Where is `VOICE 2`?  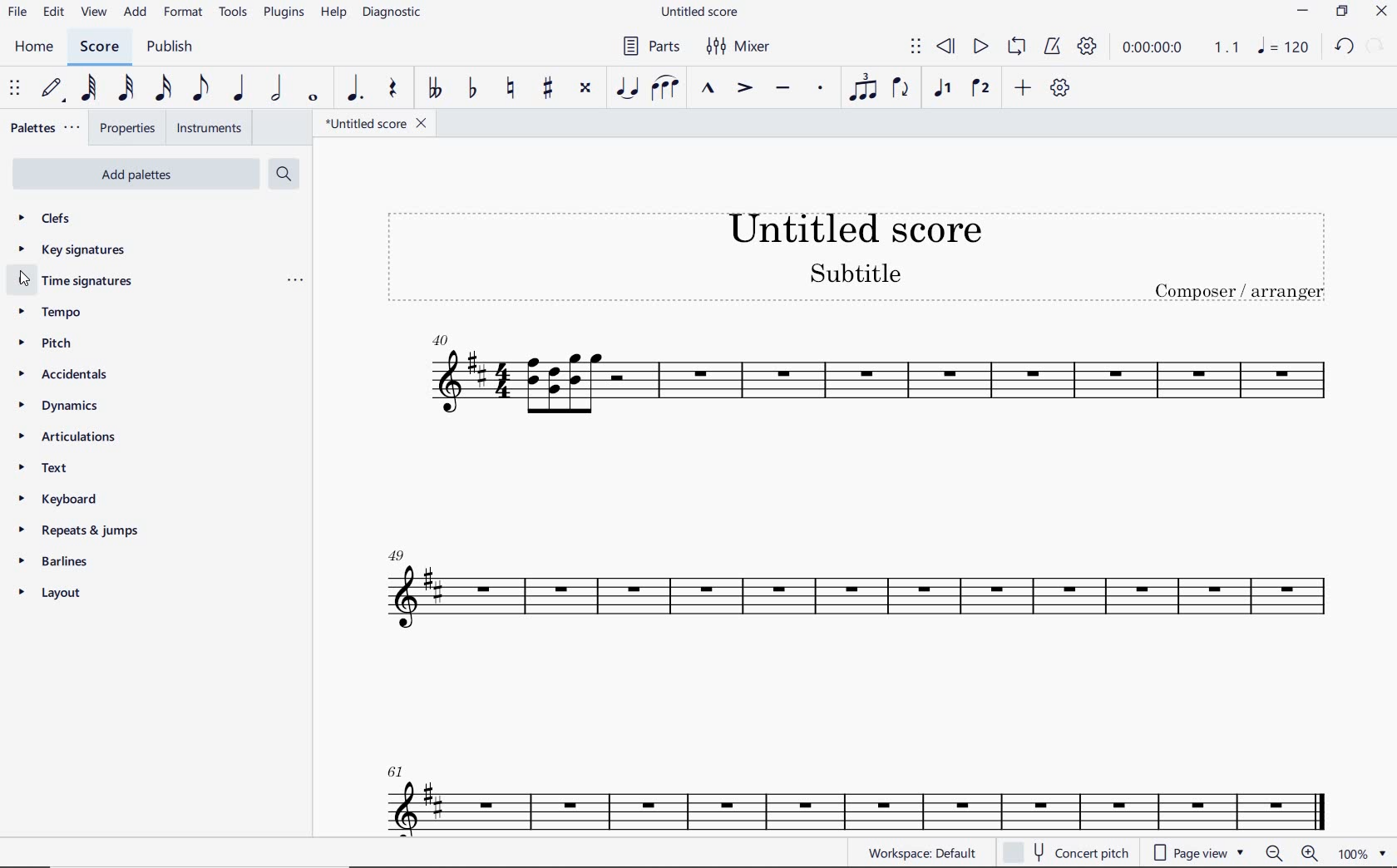 VOICE 2 is located at coordinates (980, 89).